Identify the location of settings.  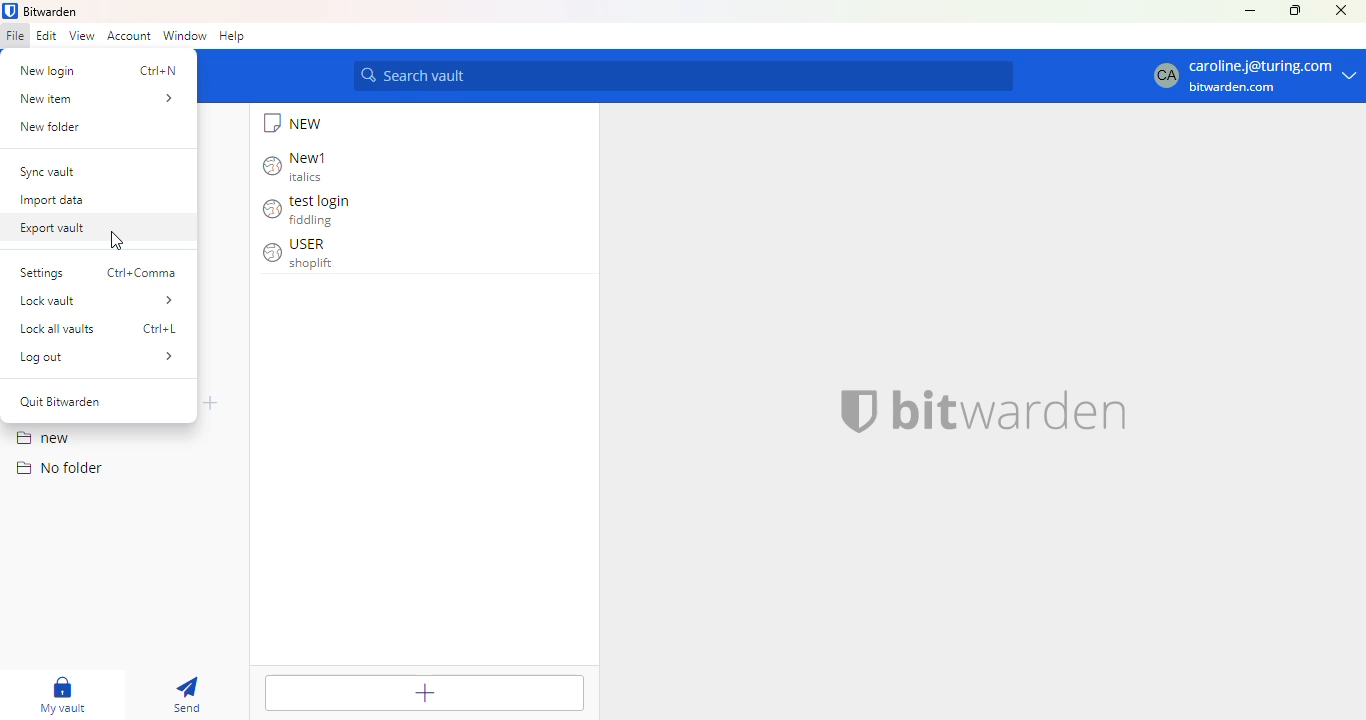
(98, 273).